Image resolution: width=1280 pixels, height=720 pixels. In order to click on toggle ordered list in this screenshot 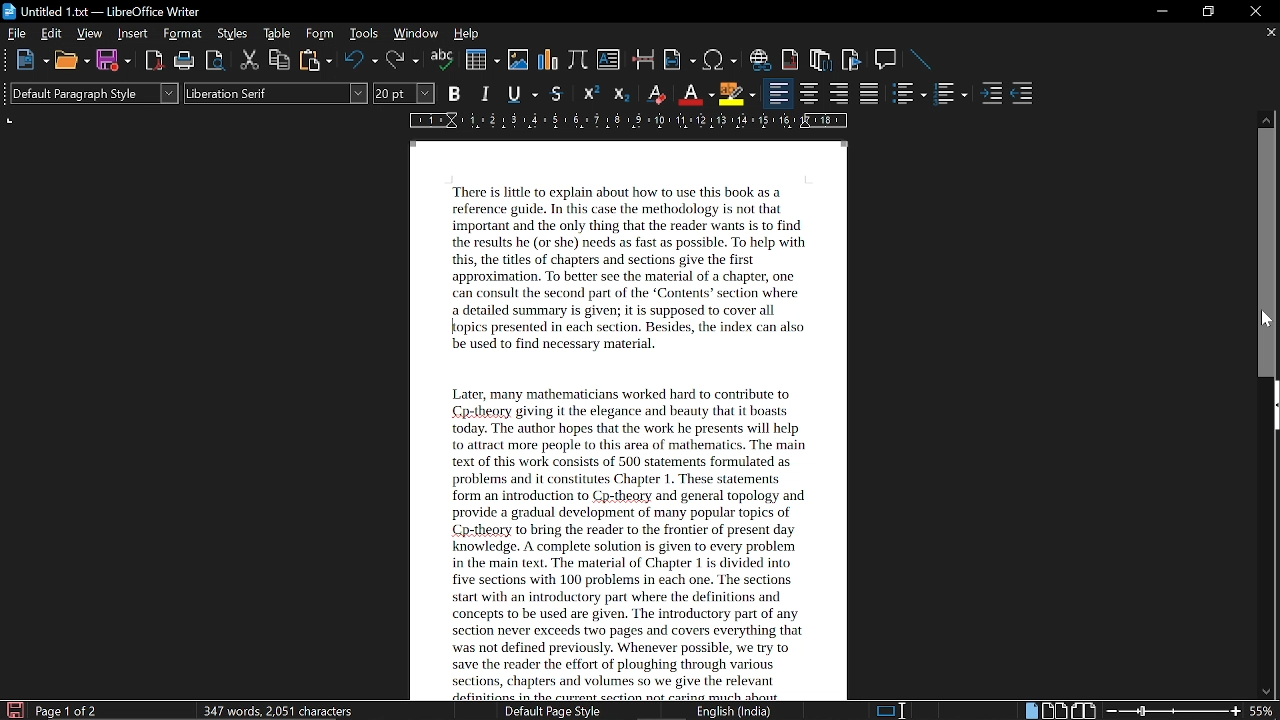, I will do `click(910, 95)`.